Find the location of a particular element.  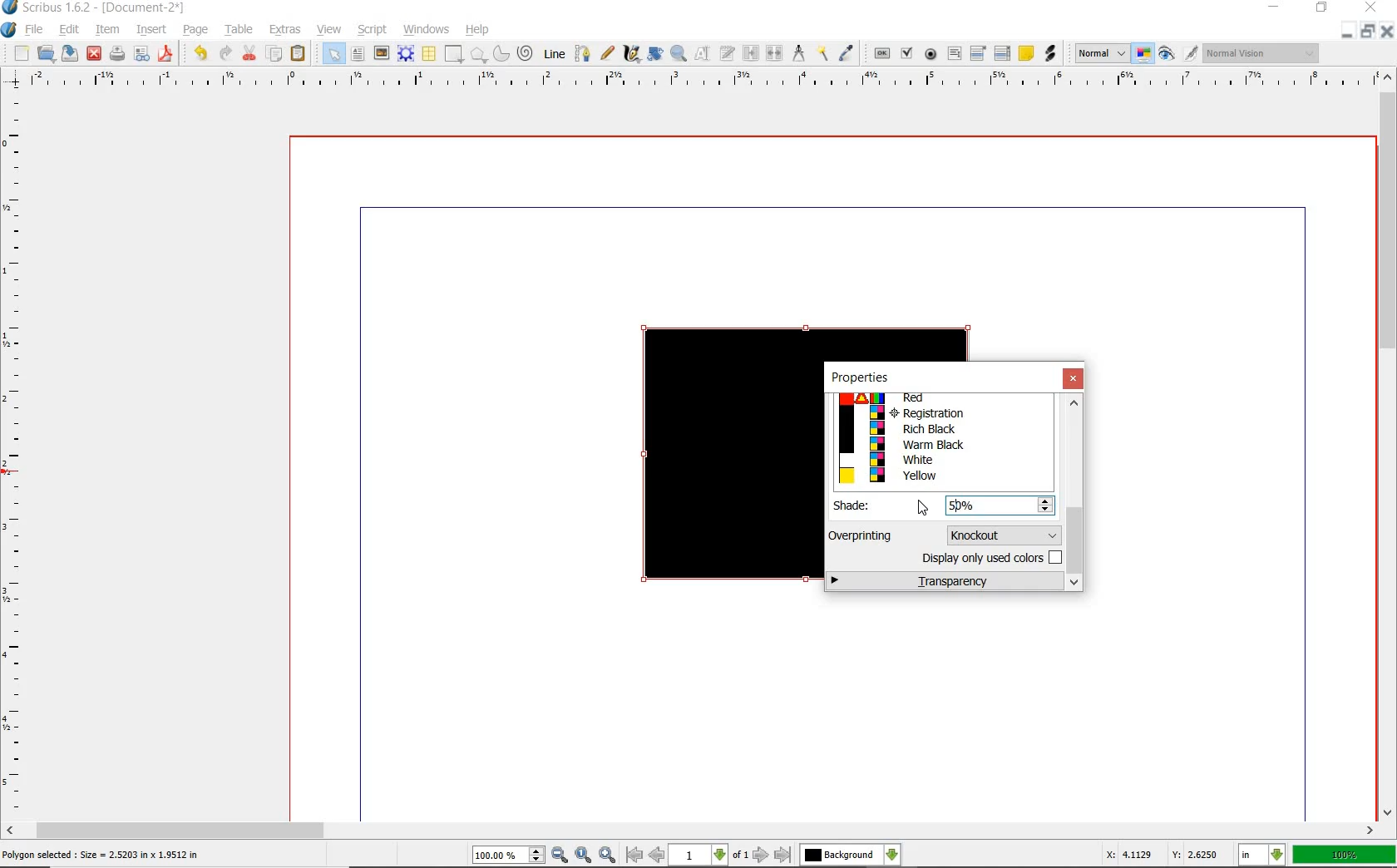

file is located at coordinates (35, 32).